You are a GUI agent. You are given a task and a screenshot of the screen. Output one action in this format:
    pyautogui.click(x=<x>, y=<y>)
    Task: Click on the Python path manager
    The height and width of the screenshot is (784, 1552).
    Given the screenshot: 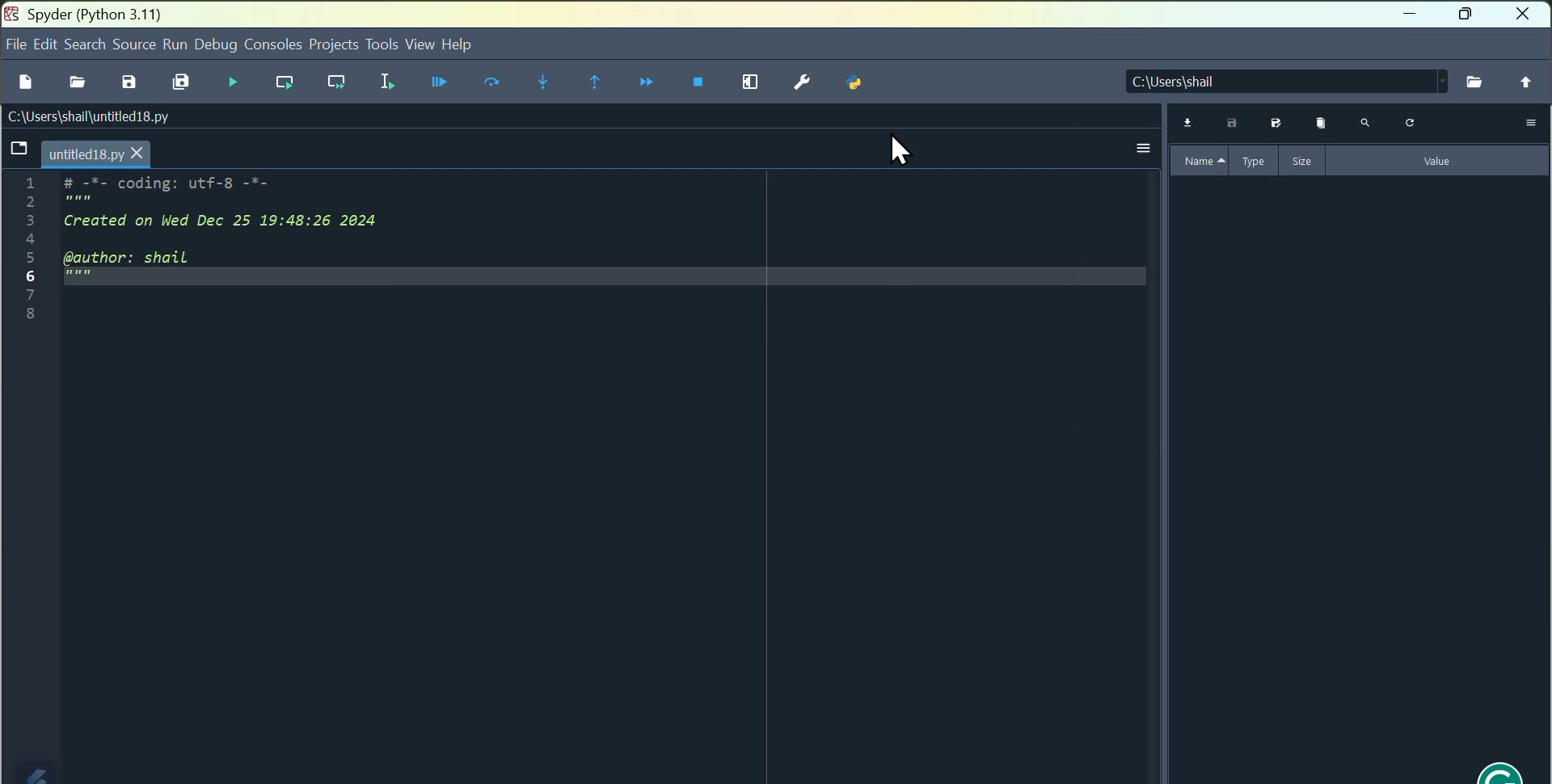 What is the action you would take?
    pyautogui.click(x=850, y=86)
    